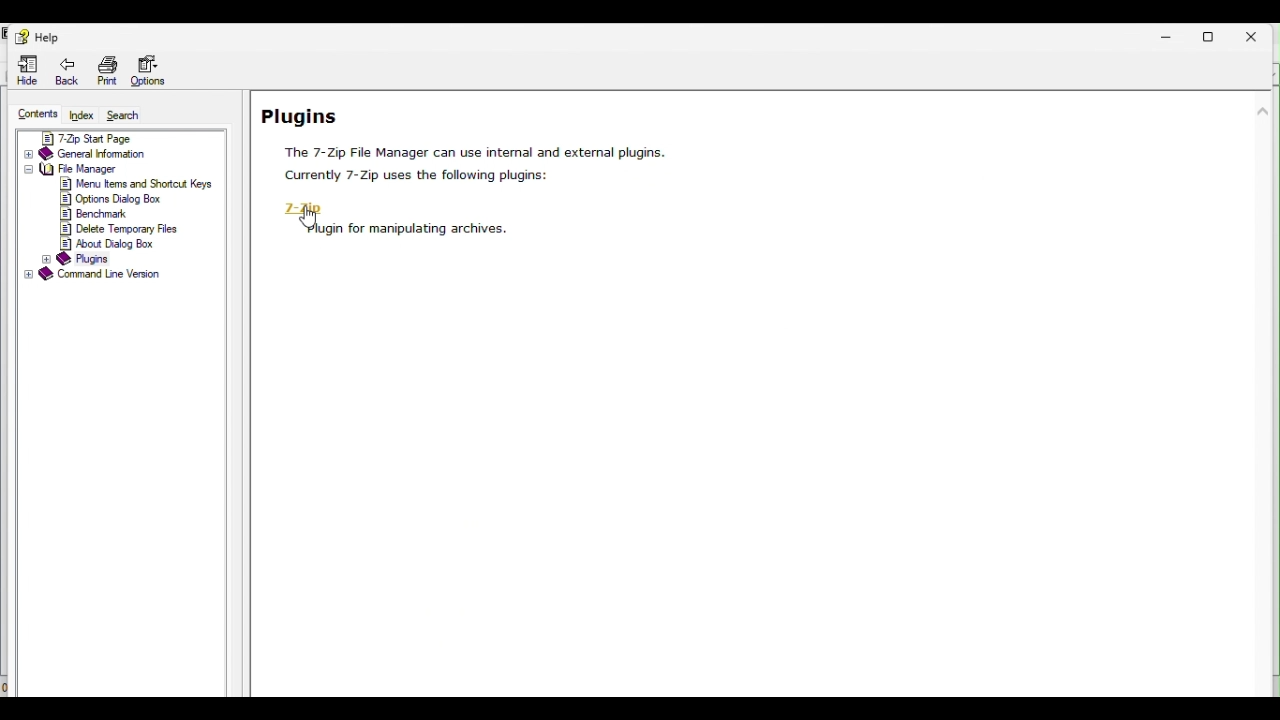 Image resolution: width=1280 pixels, height=720 pixels. Describe the element at coordinates (305, 115) in the screenshot. I see `plugins` at that location.